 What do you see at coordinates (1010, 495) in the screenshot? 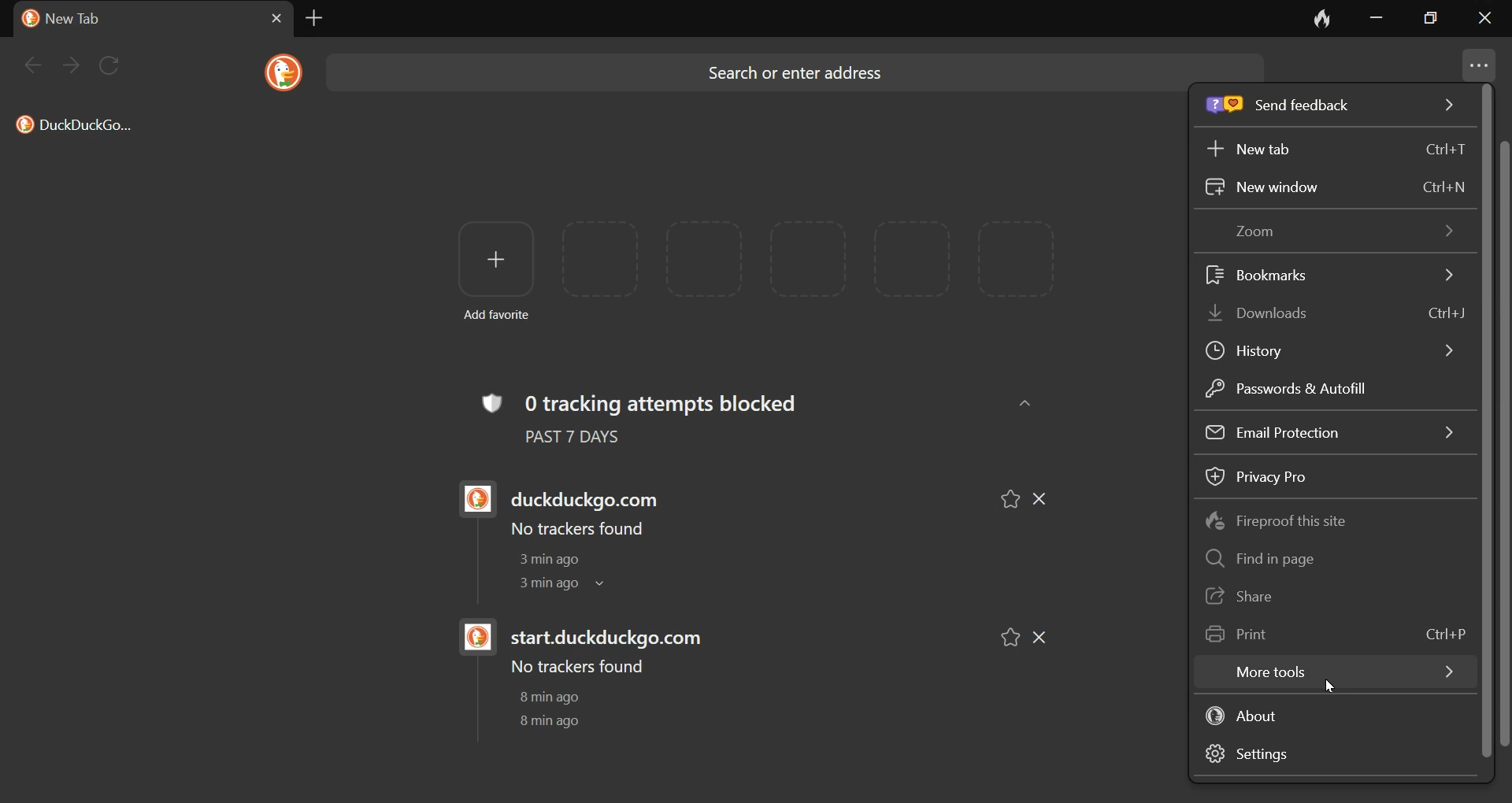
I see `favorites` at bounding box center [1010, 495].